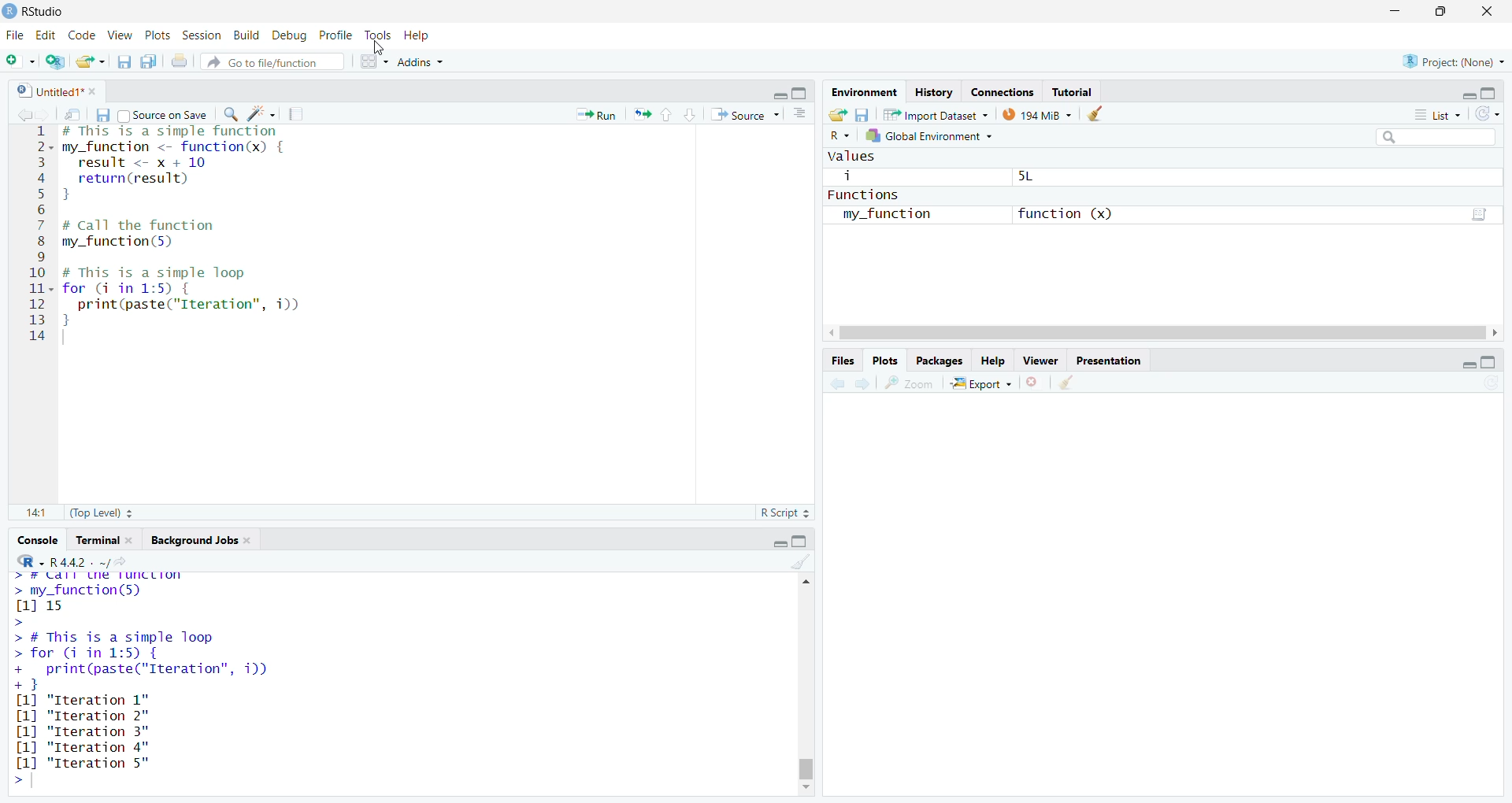 Image resolution: width=1512 pixels, height=803 pixels. What do you see at coordinates (850, 176) in the screenshot?
I see `i` at bounding box center [850, 176].